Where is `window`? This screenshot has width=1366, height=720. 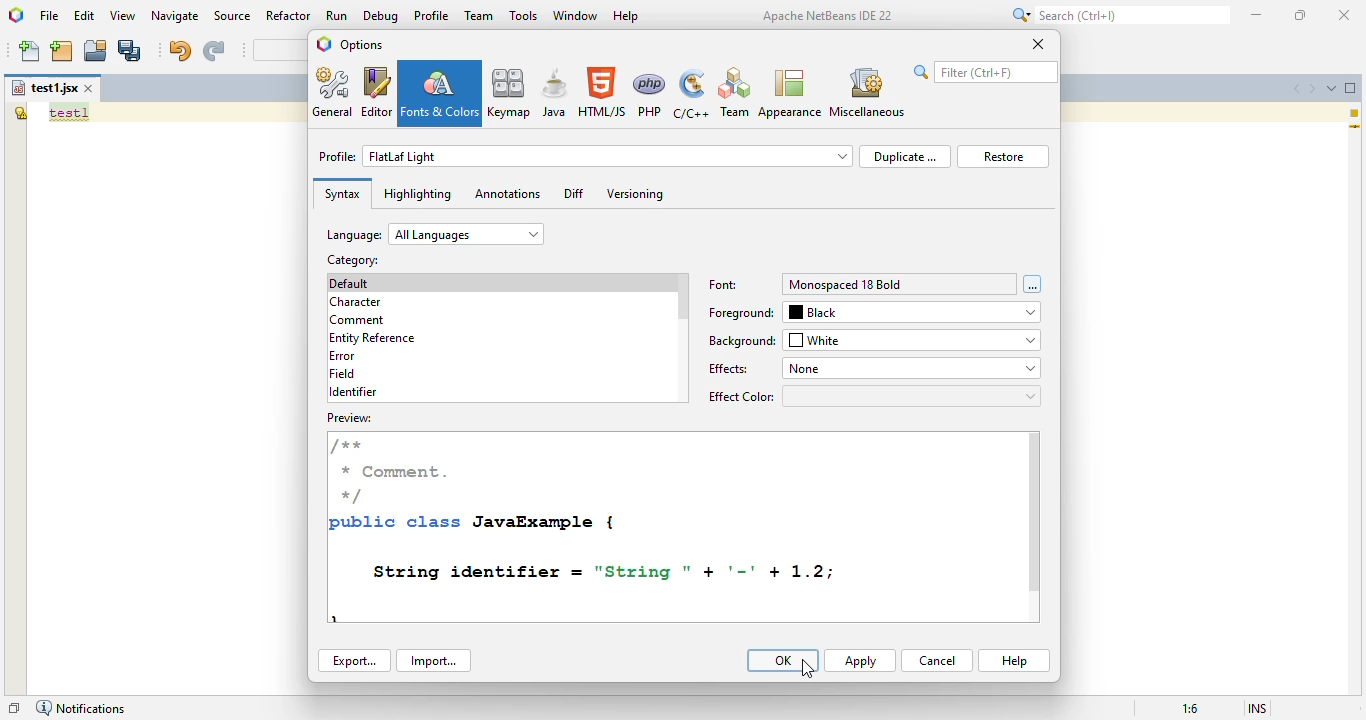 window is located at coordinates (575, 15).